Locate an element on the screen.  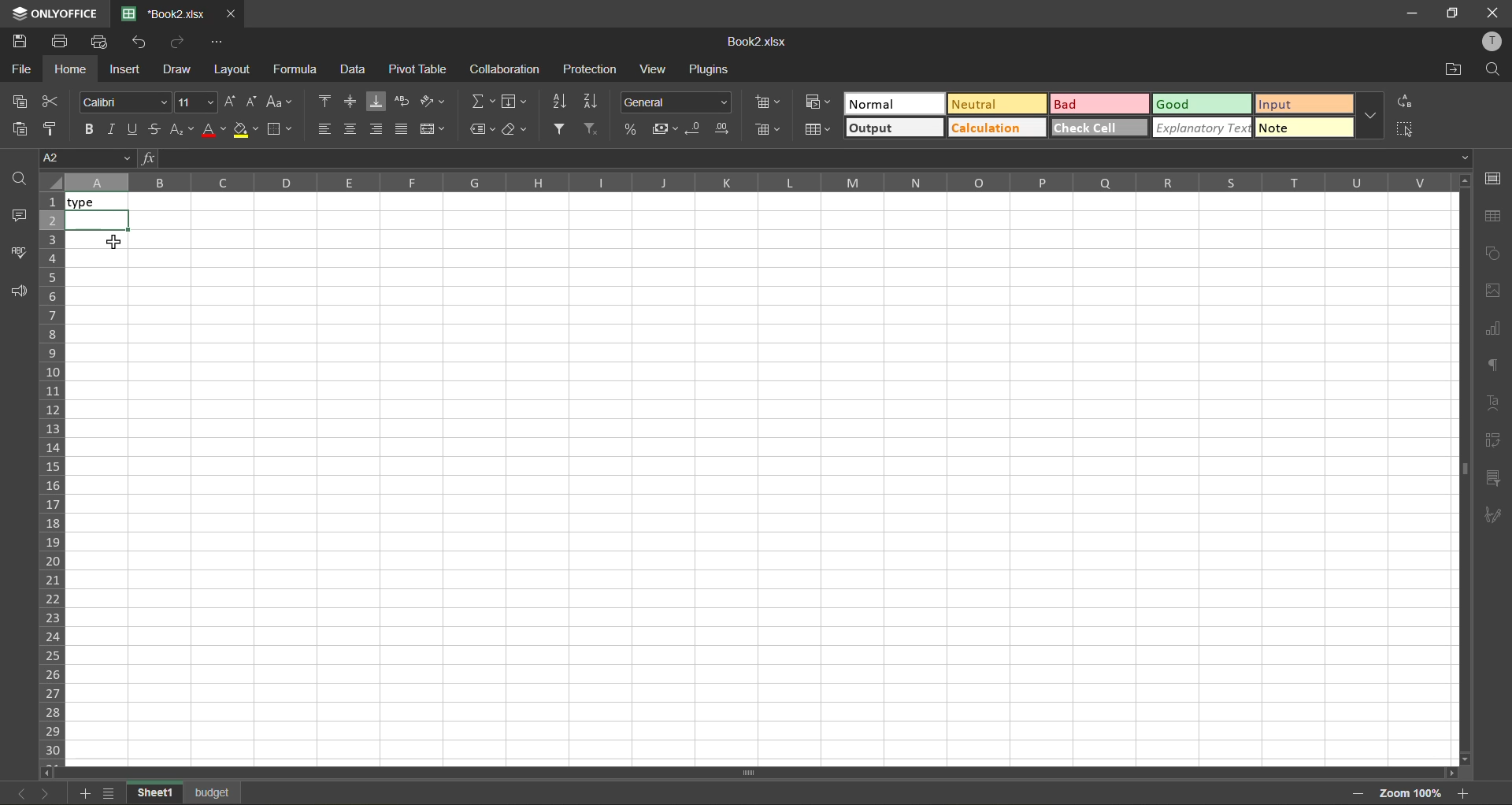
protection is located at coordinates (589, 71).